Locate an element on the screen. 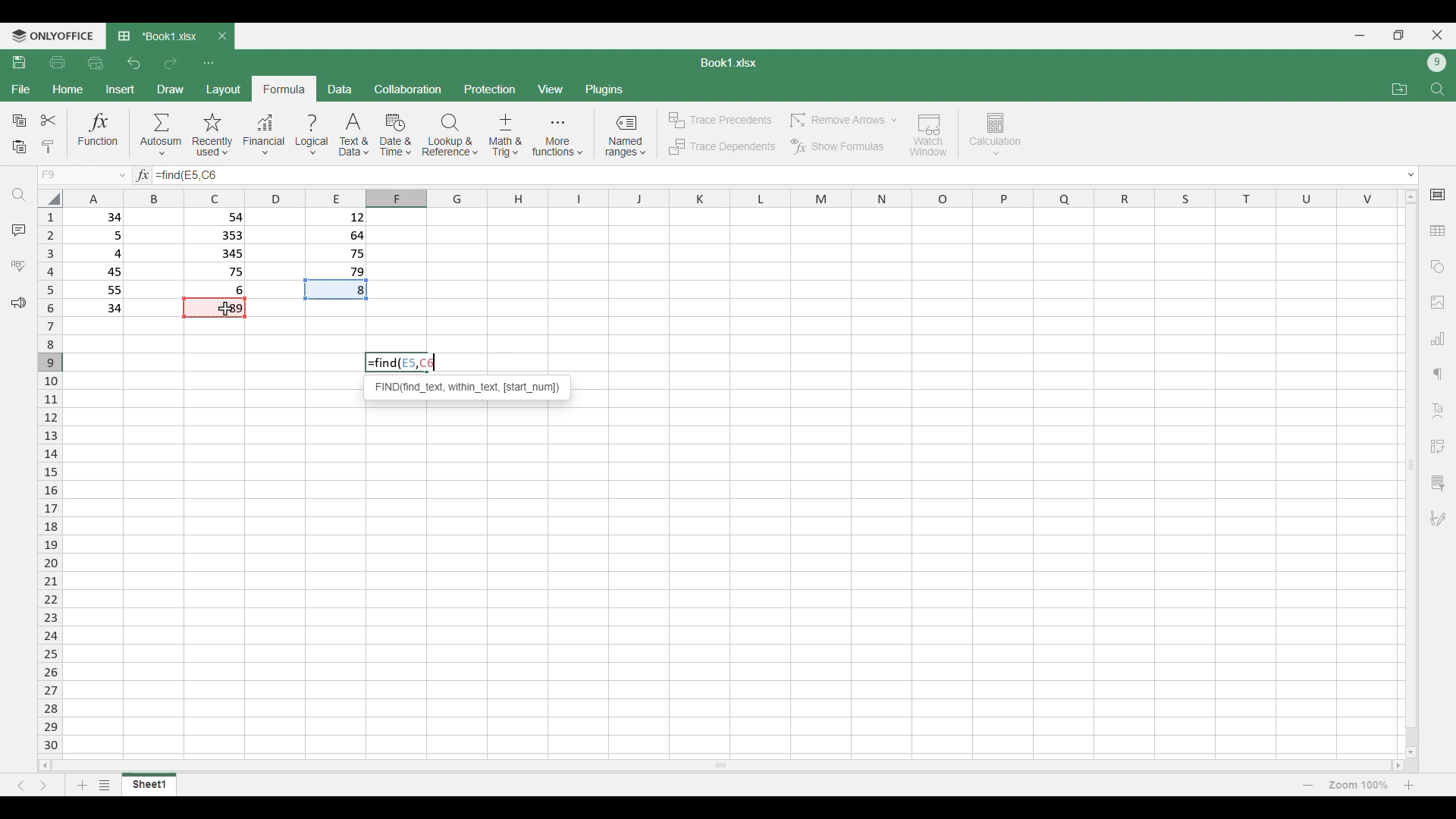  Current sheet is located at coordinates (149, 784).